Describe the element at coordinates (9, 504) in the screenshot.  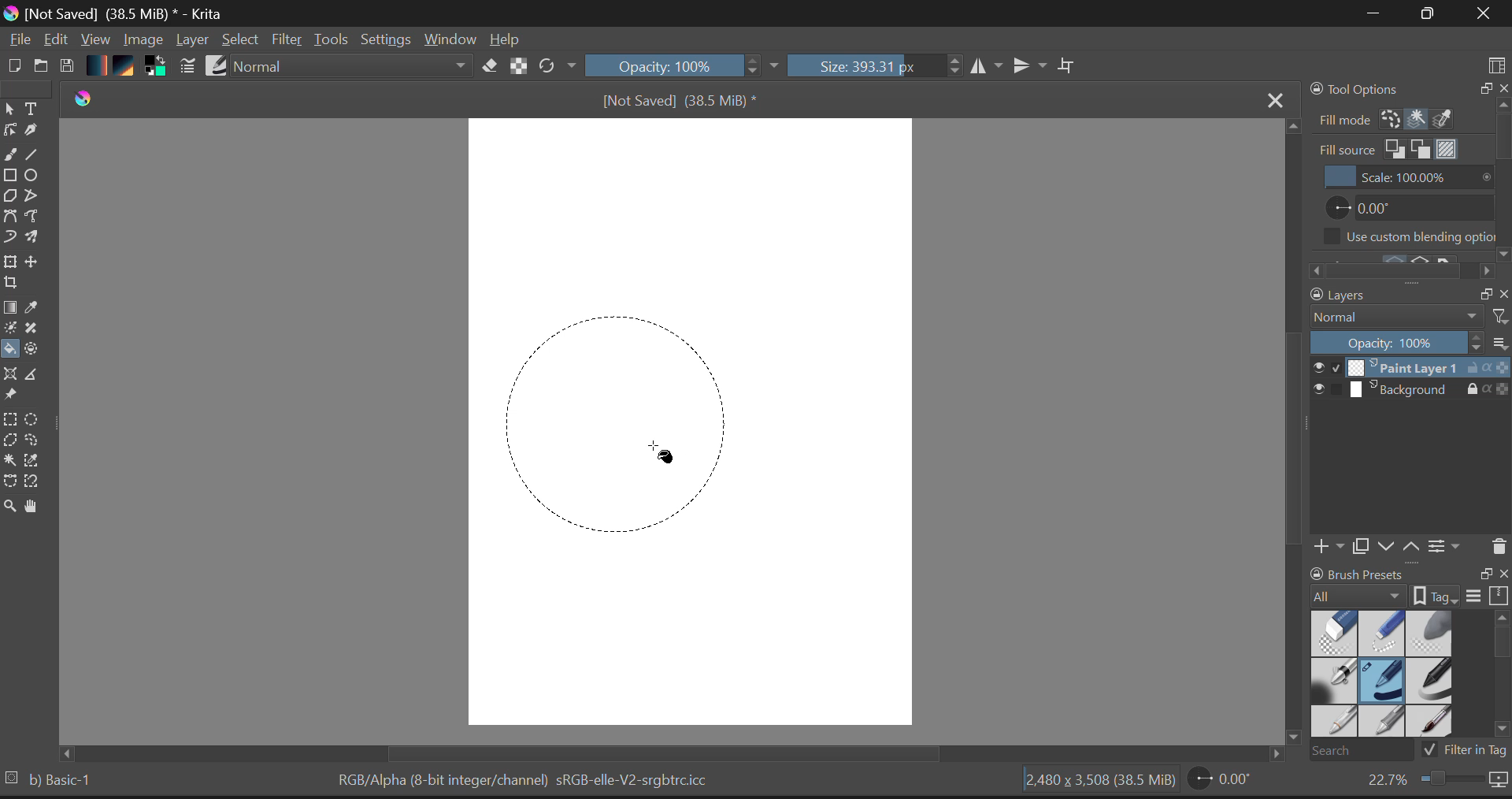
I see `Zoom` at that location.